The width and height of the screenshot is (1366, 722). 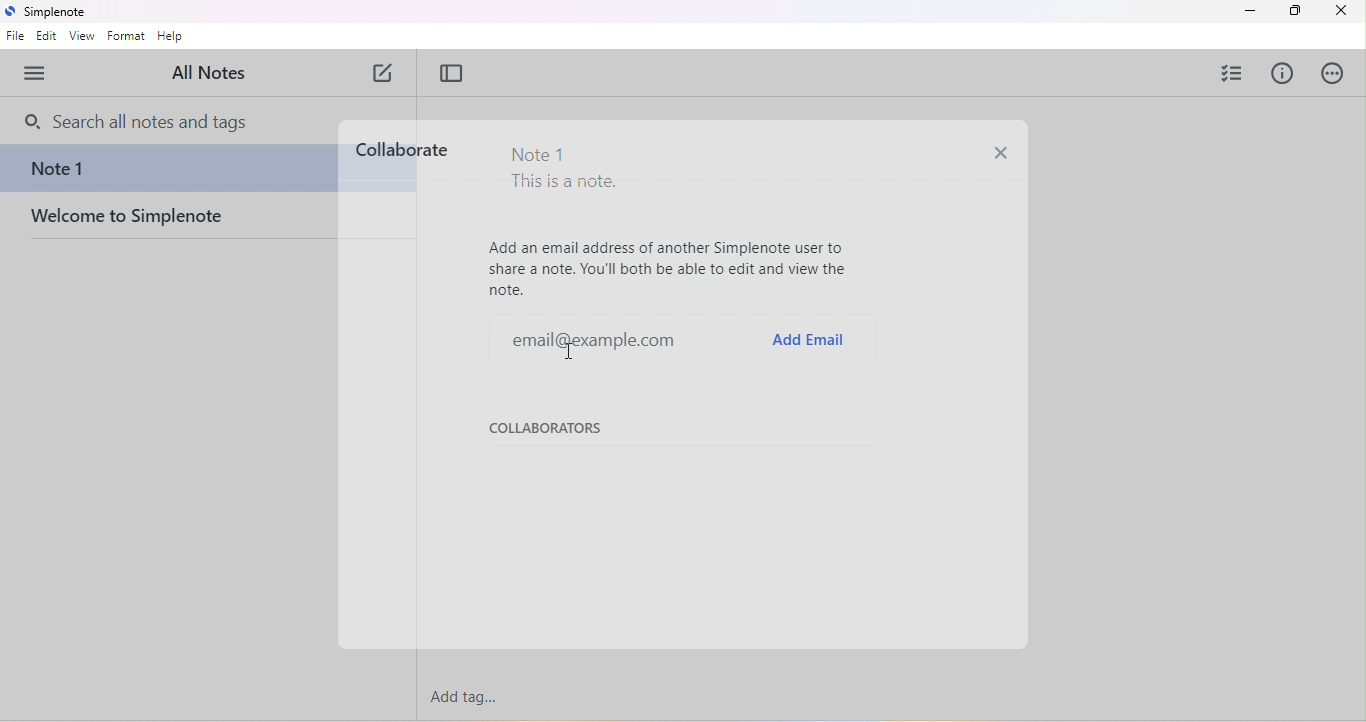 What do you see at coordinates (82, 37) in the screenshot?
I see `view` at bounding box center [82, 37].